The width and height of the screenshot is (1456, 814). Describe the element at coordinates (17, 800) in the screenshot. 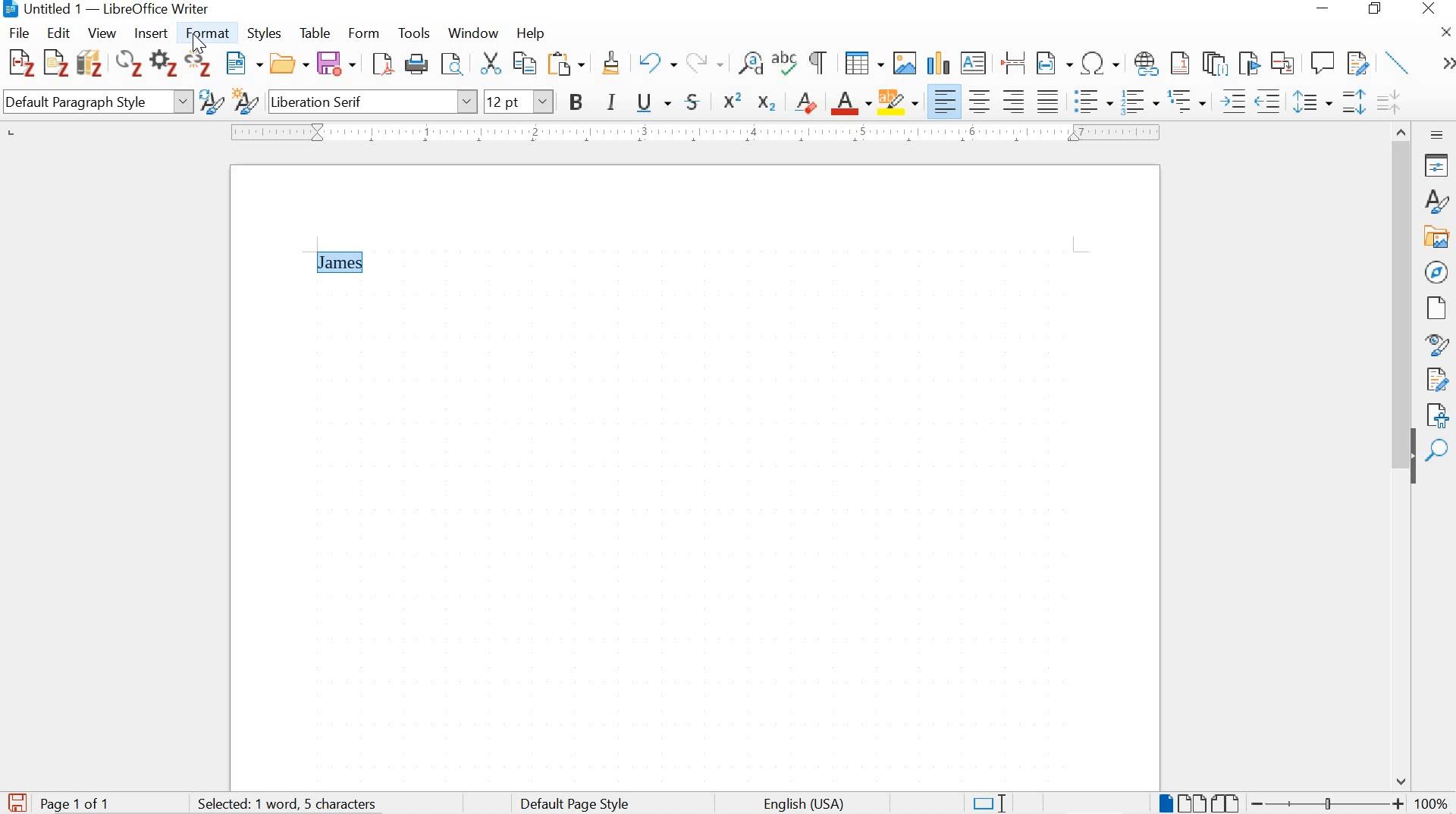

I see `save` at that location.